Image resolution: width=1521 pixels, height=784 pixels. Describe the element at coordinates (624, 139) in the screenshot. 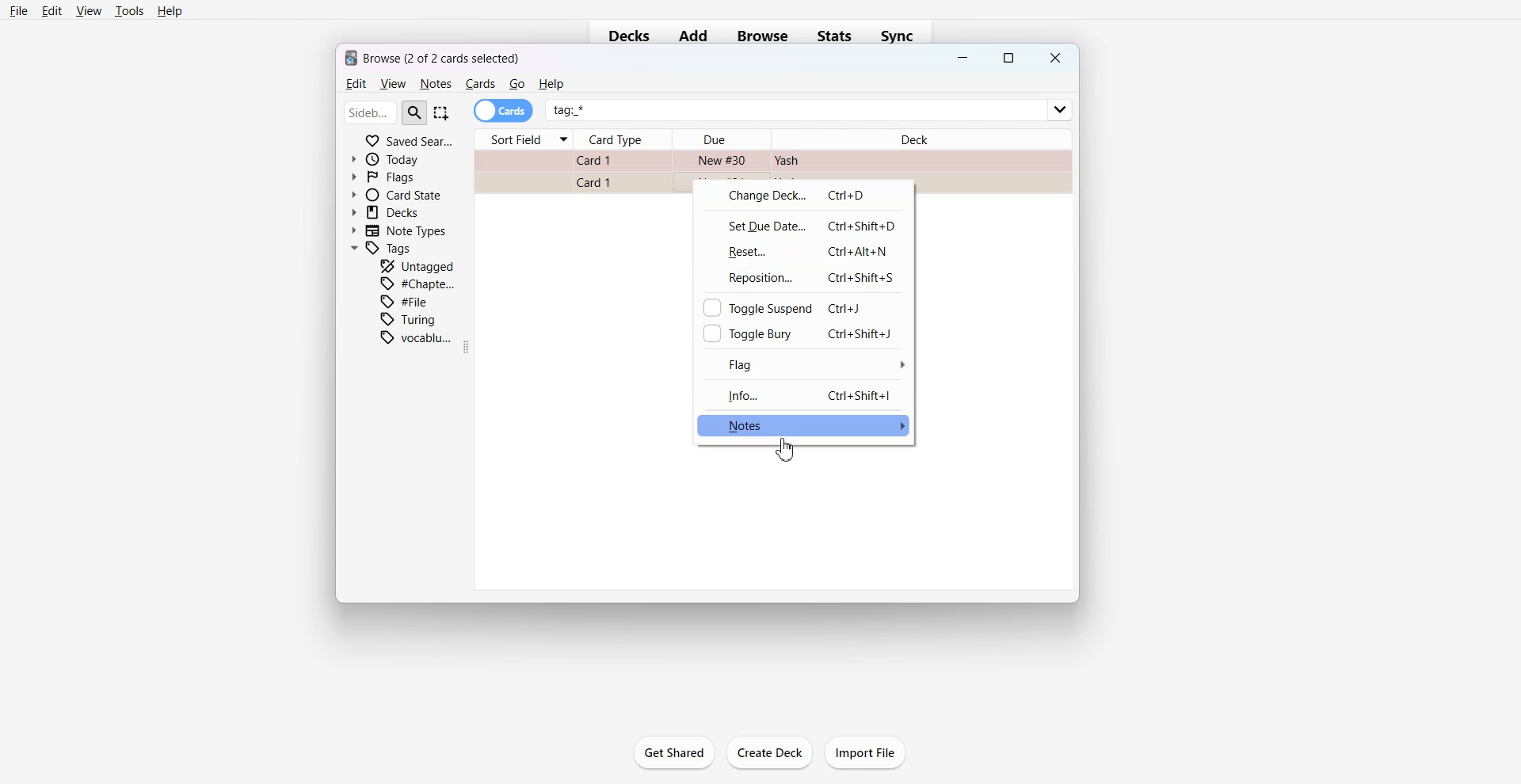

I see `Card Type` at that location.